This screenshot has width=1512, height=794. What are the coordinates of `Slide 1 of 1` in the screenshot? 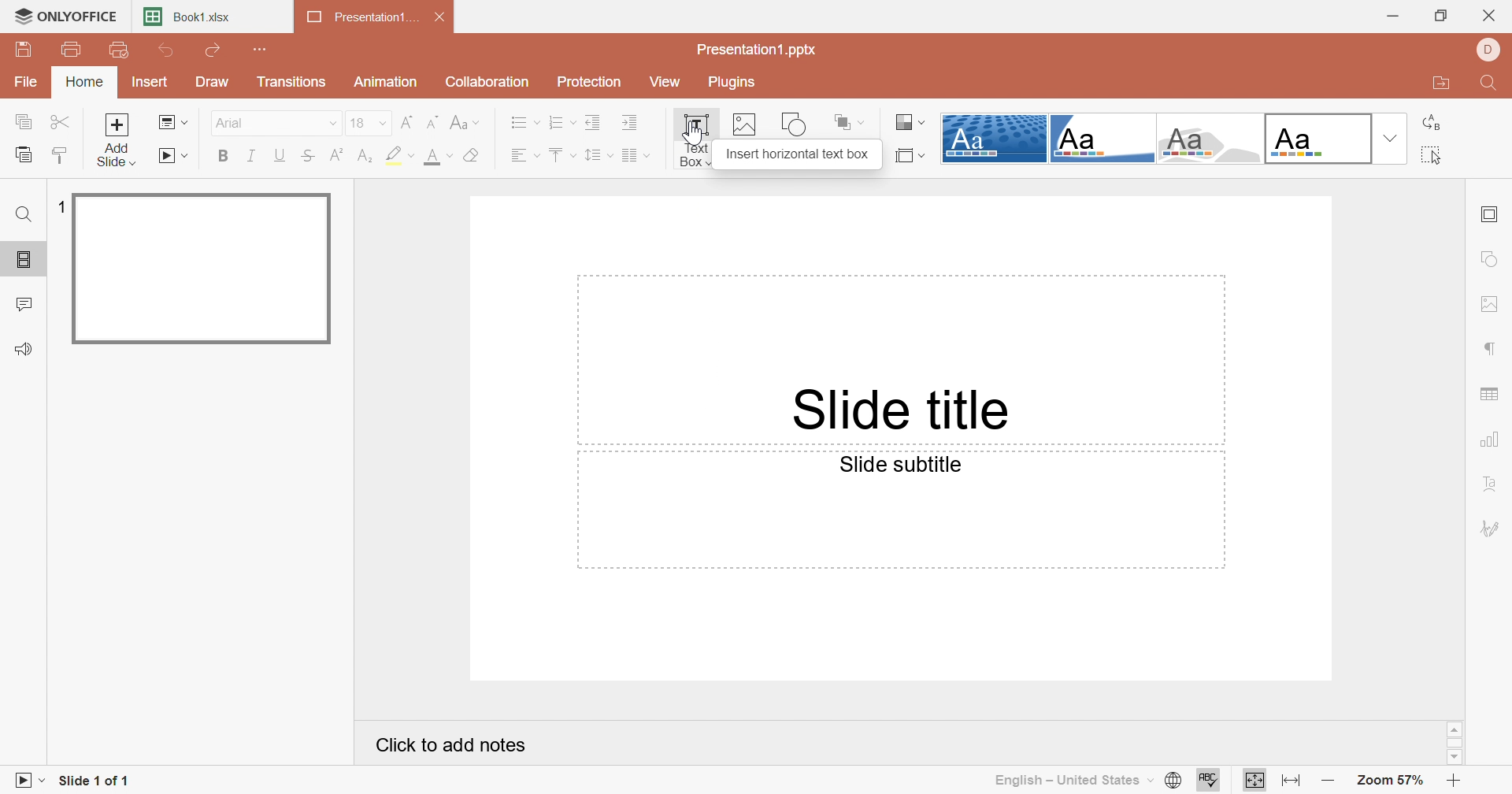 It's located at (95, 781).